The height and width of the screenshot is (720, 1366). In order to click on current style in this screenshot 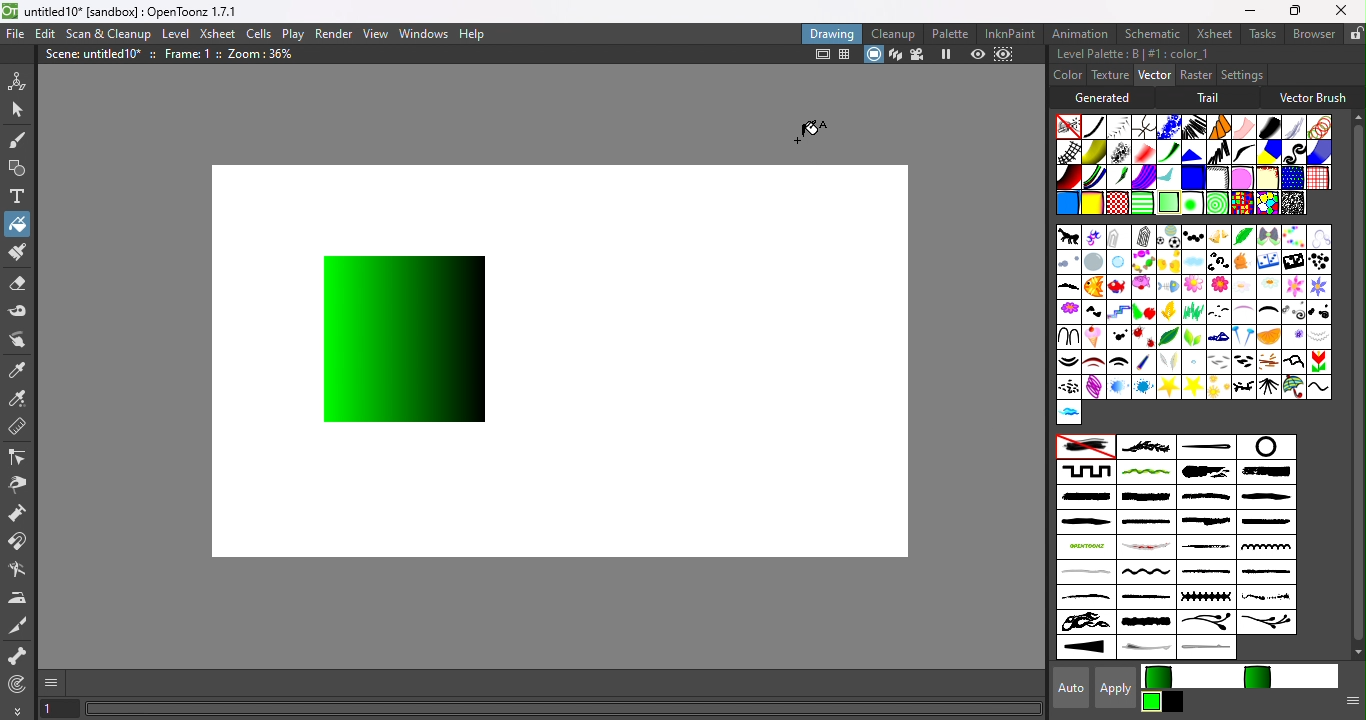, I will do `click(1190, 677)`.